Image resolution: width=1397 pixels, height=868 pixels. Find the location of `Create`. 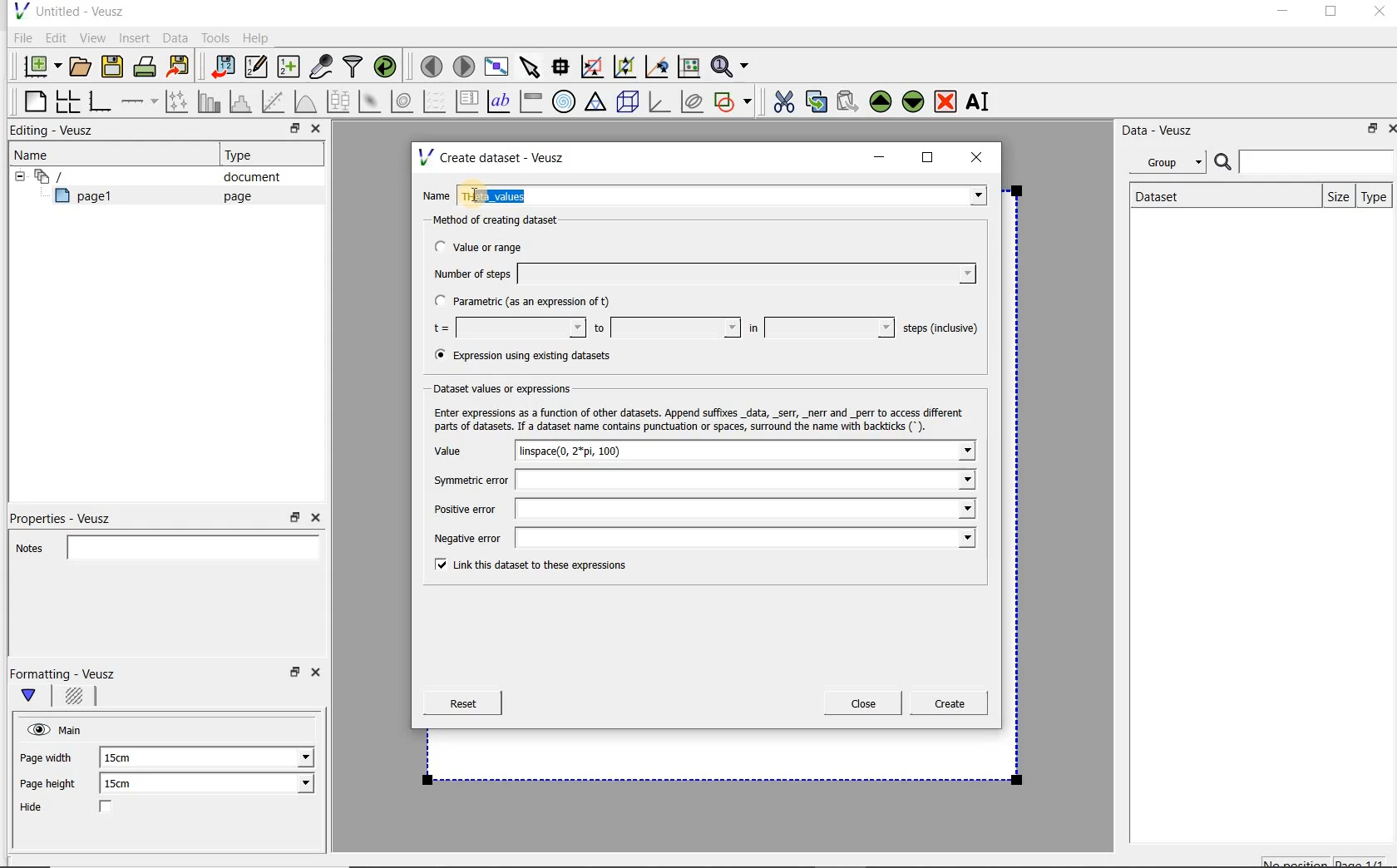

Create is located at coordinates (944, 706).